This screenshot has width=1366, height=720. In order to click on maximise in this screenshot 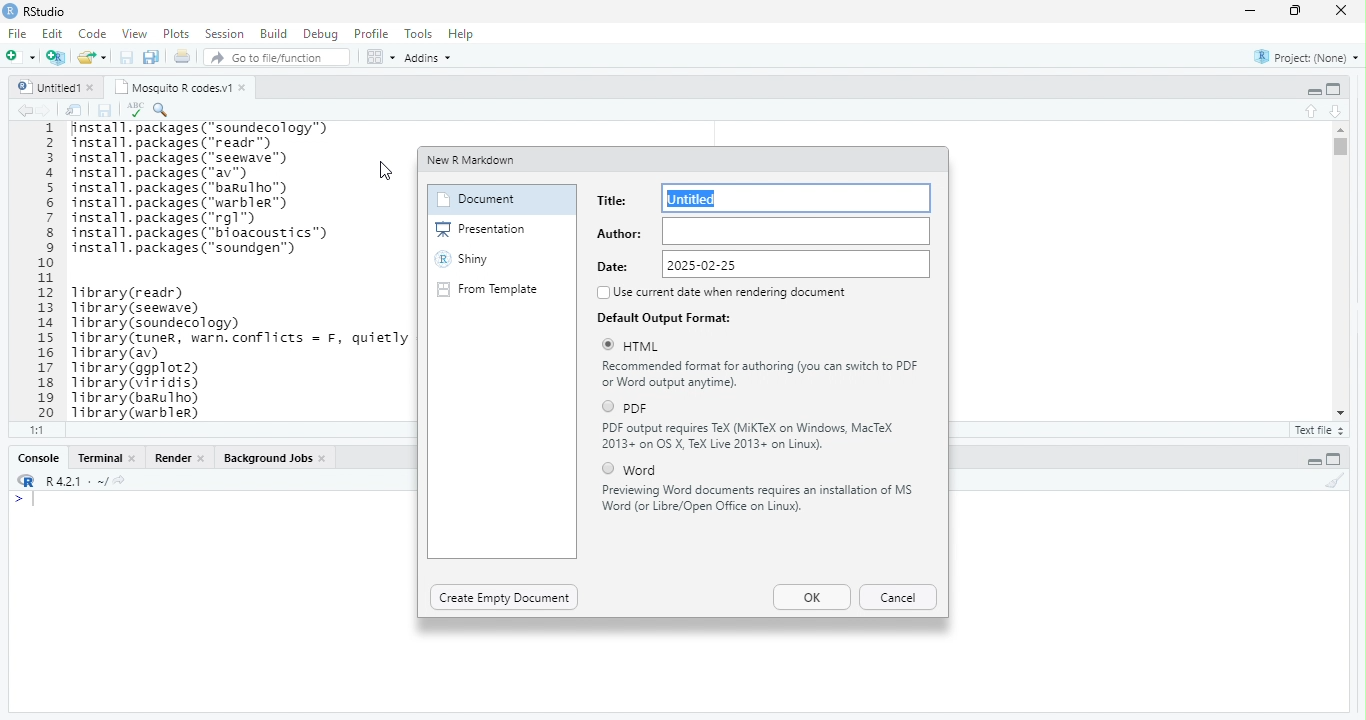, I will do `click(1296, 11)`.